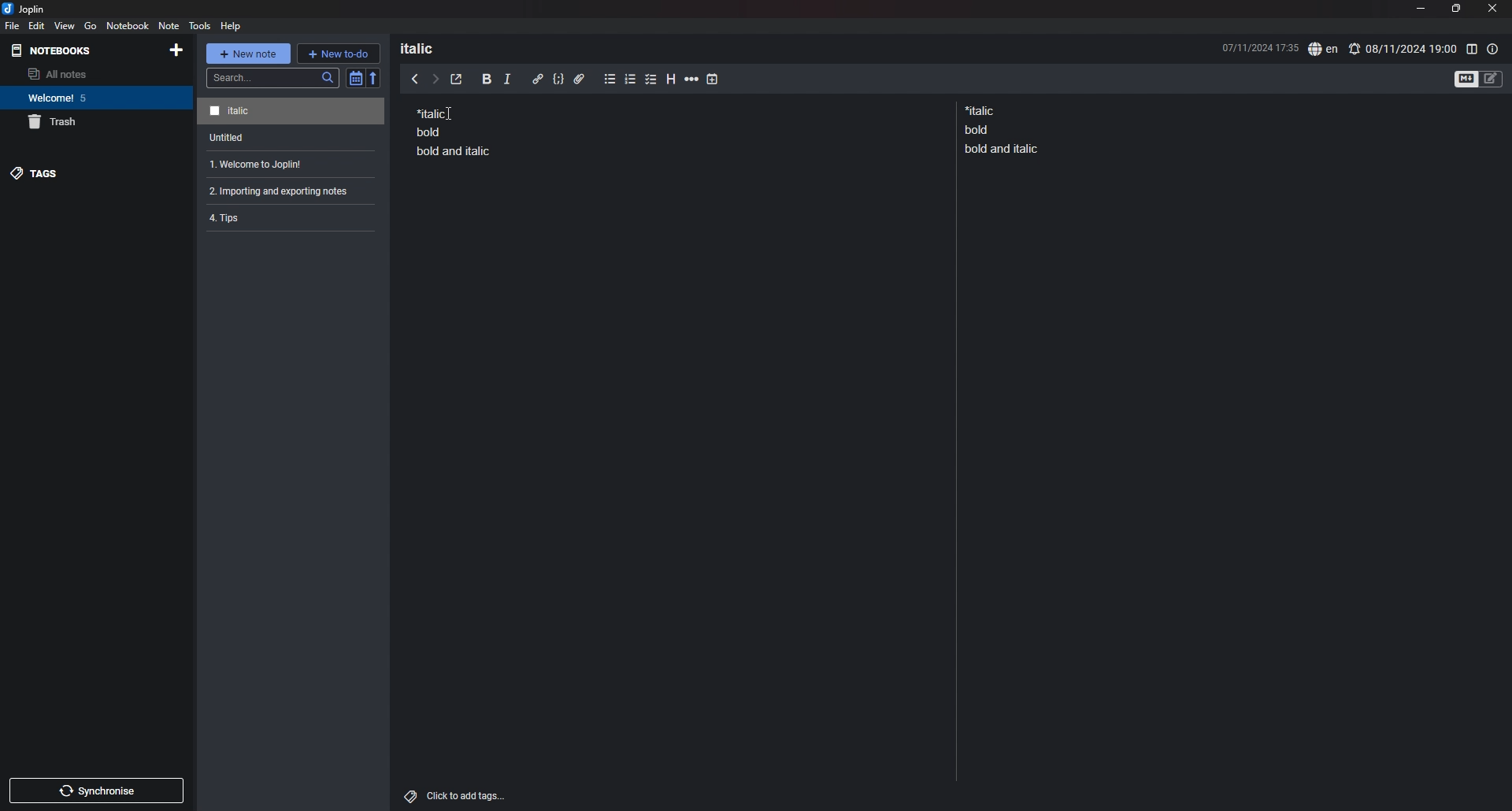 The width and height of the screenshot is (1512, 811). What do you see at coordinates (1493, 49) in the screenshot?
I see `note properties` at bounding box center [1493, 49].